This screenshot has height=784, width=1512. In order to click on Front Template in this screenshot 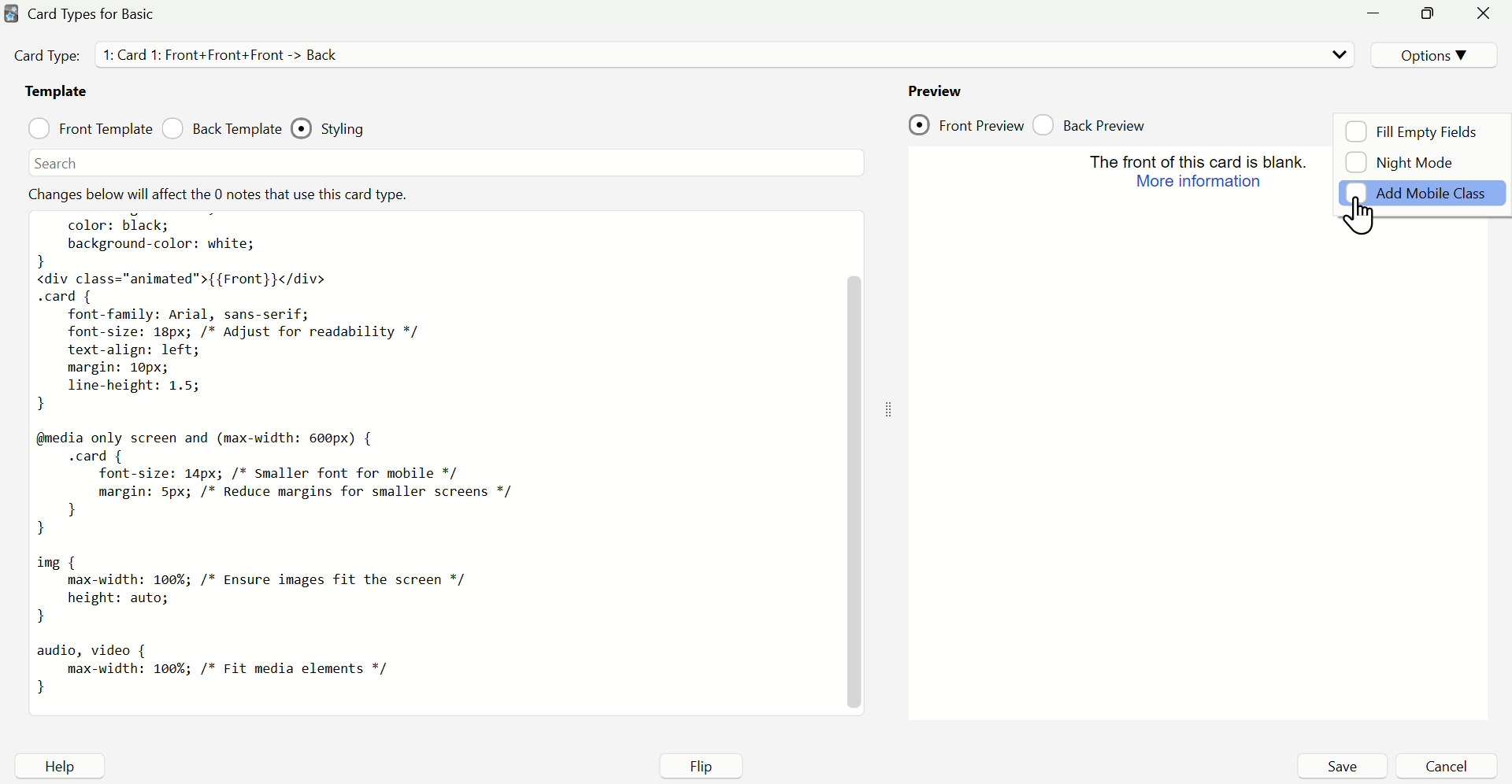, I will do `click(90, 128)`.